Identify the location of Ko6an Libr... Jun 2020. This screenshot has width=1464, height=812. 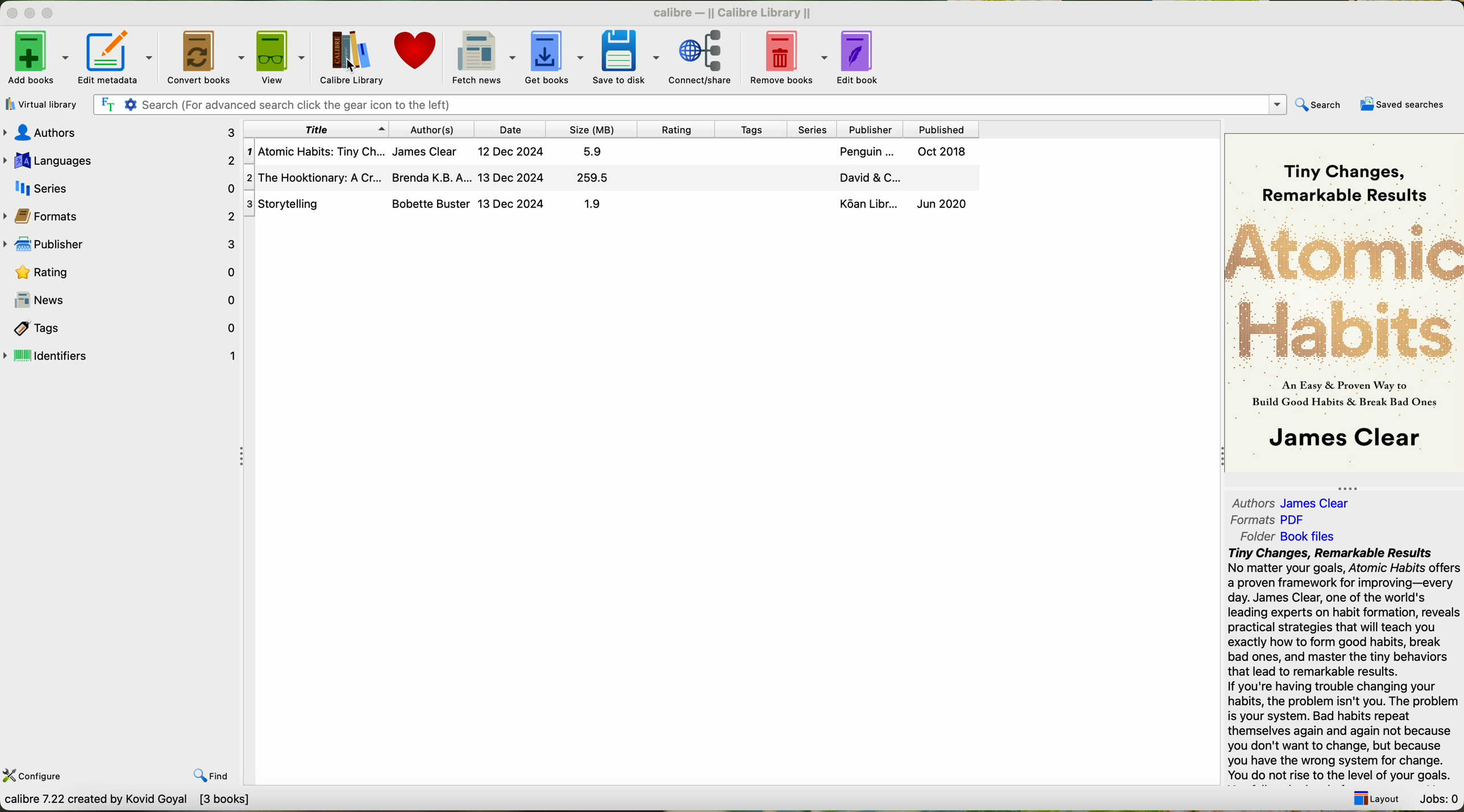
(900, 206).